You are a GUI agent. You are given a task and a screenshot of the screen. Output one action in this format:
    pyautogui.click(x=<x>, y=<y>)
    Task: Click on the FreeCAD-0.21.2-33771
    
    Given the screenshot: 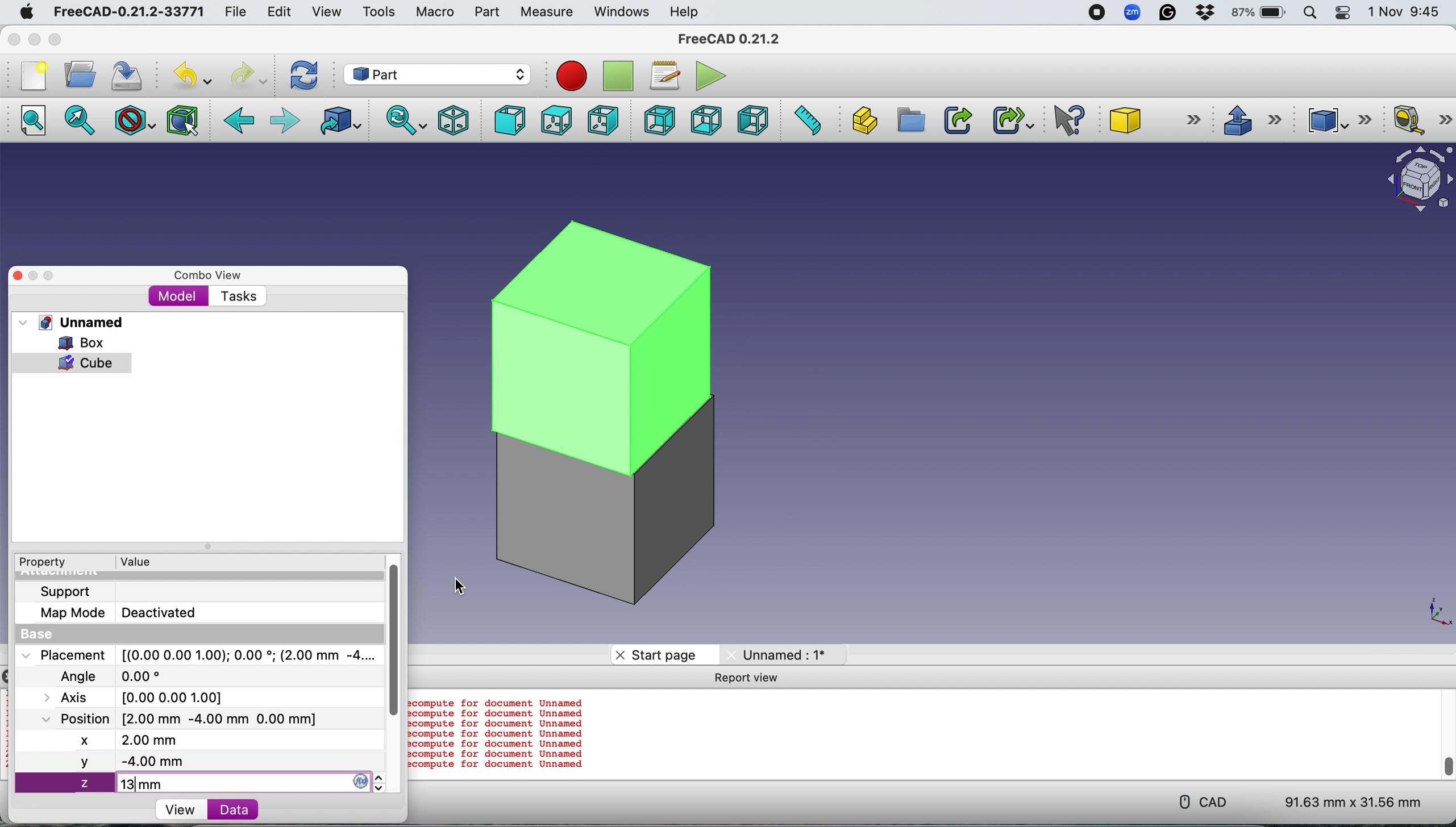 What is the action you would take?
    pyautogui.click(x=128, y=12)
    